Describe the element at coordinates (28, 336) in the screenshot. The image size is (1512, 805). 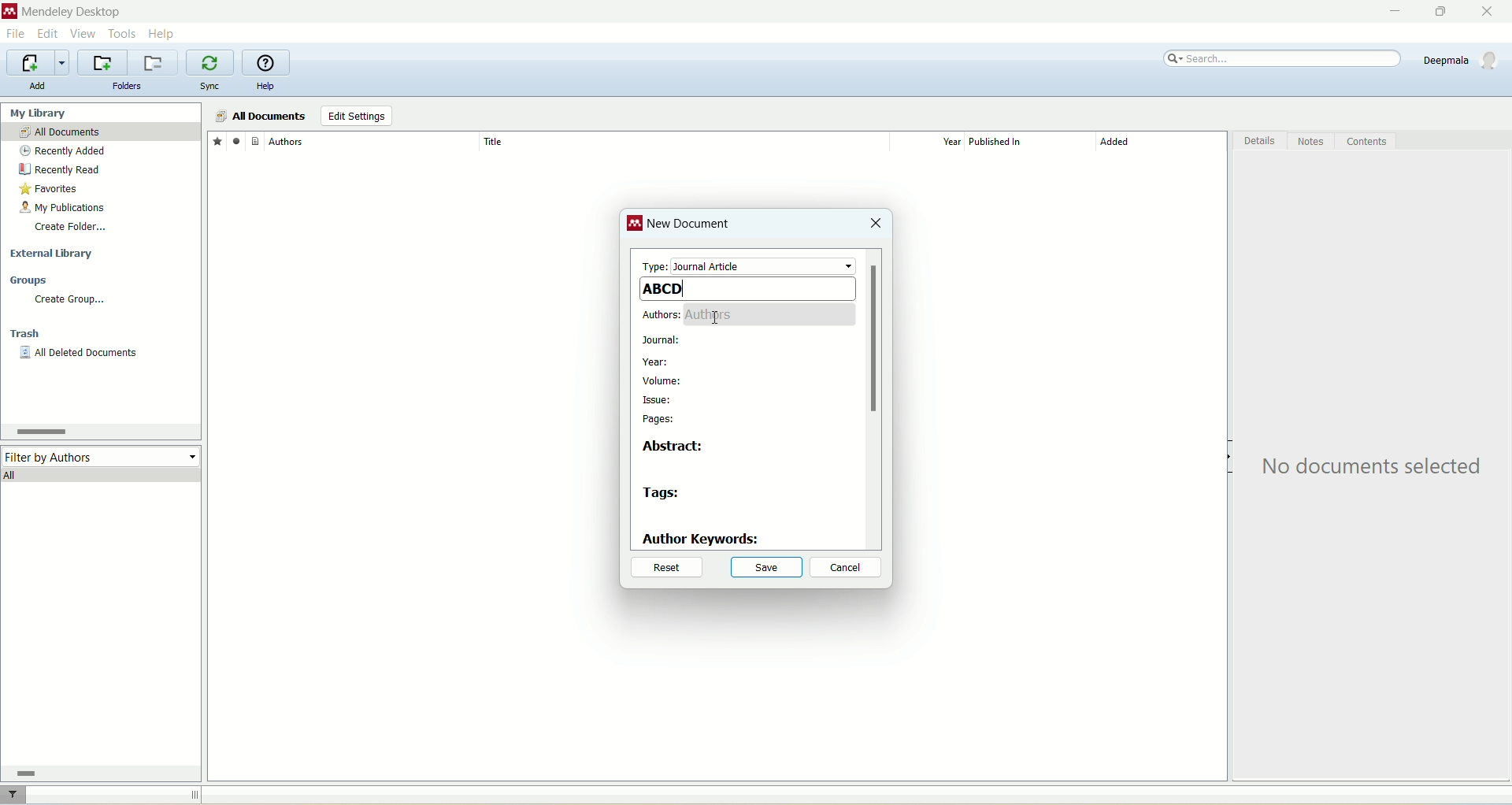
I see `trash` at that location.